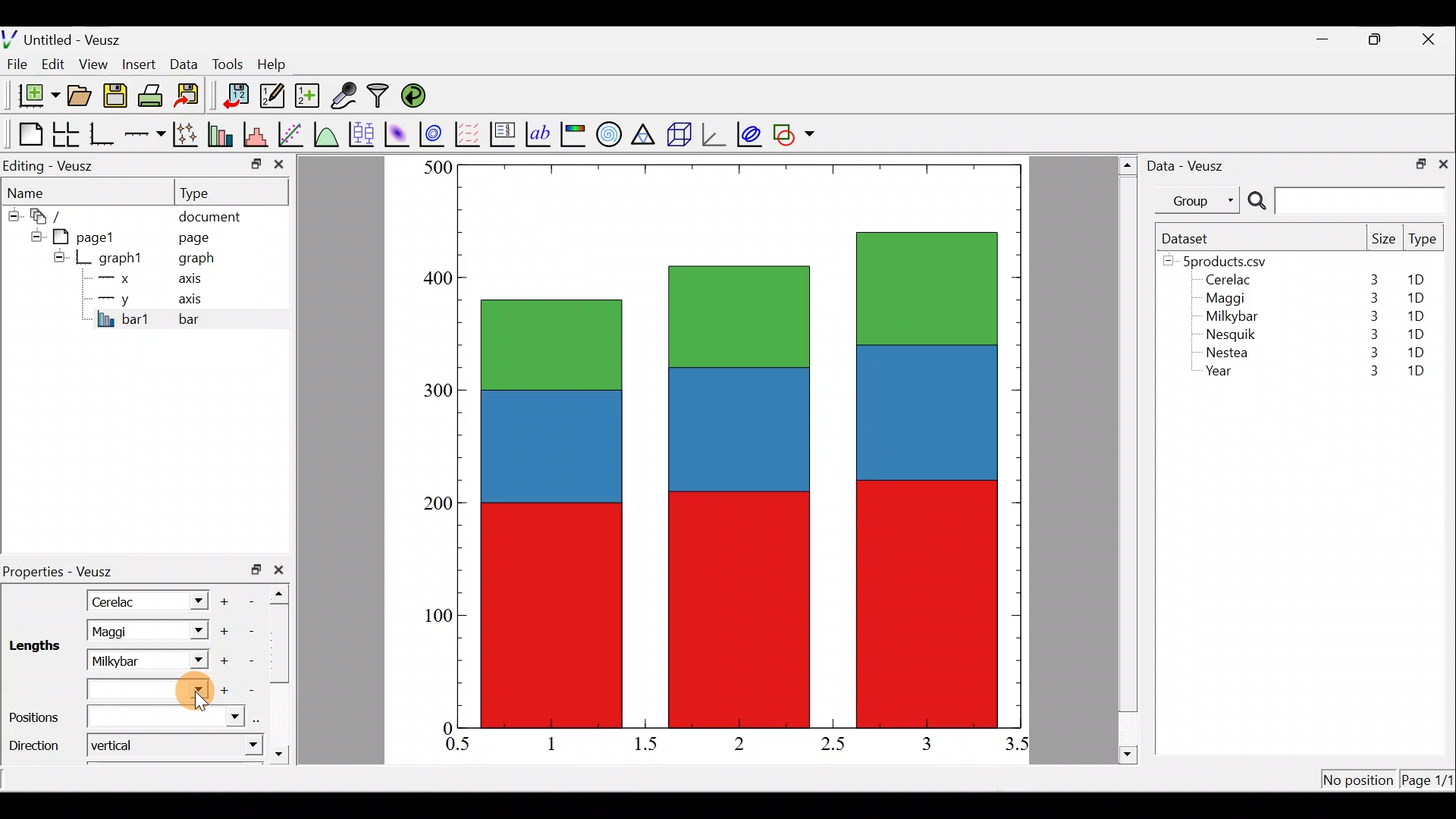  I want to click on Remove item, so click(249, 690).